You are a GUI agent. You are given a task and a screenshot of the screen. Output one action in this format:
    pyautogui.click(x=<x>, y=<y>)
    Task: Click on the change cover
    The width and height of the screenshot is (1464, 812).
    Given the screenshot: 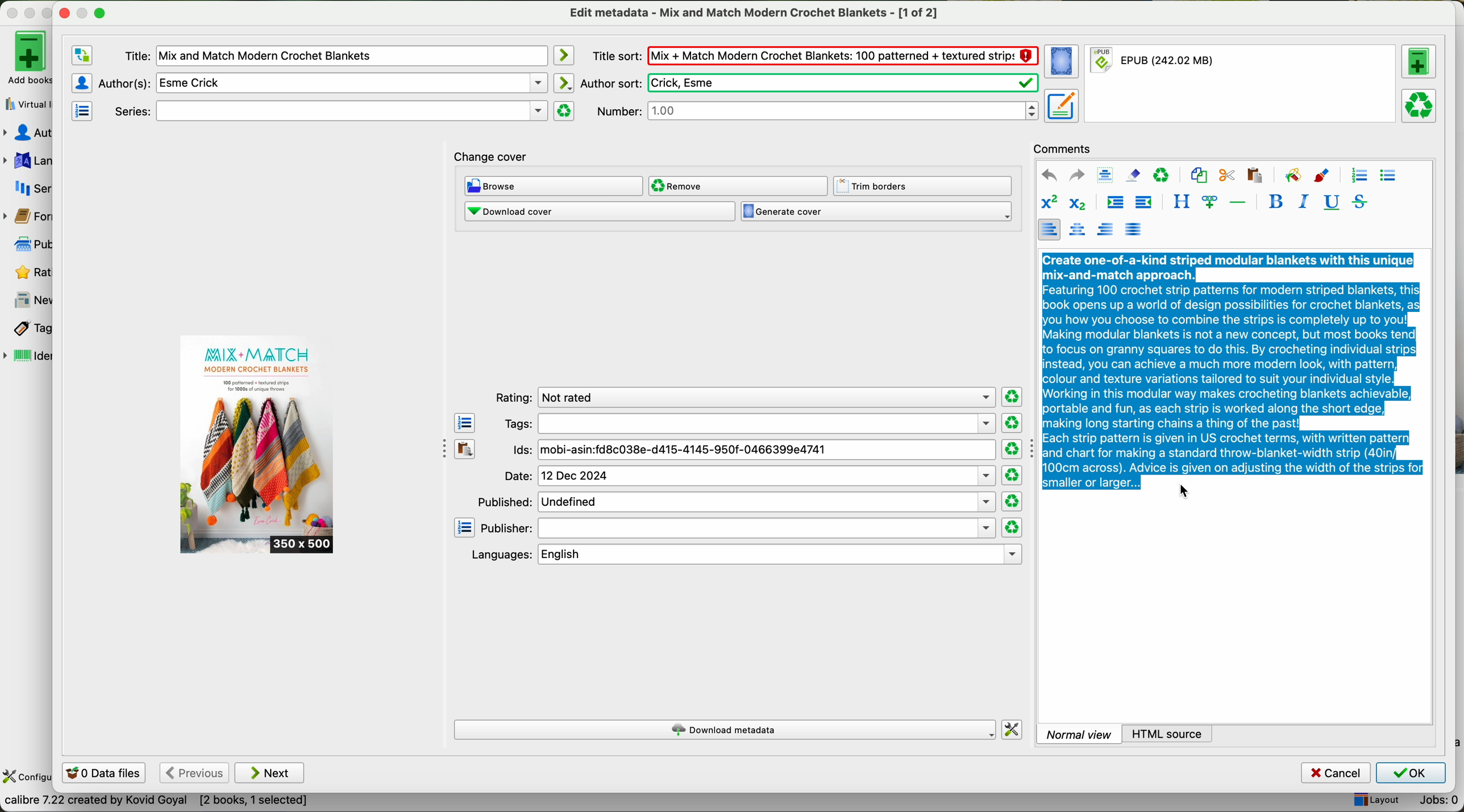 What is the action you would take?
    pyautogui.click(x=491, y=158)
    